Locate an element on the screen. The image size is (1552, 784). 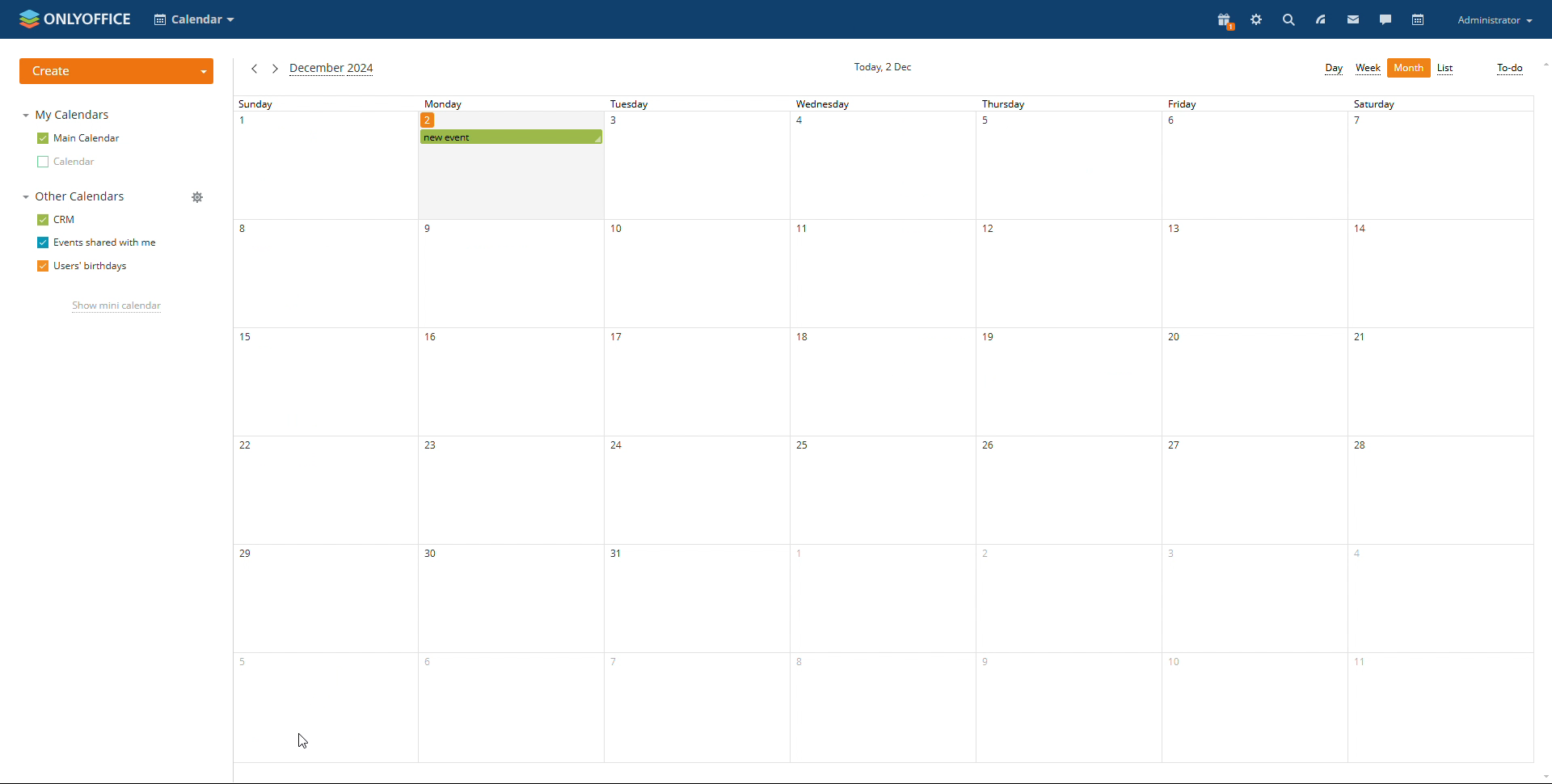
logo is located at coordinates (74, 19).